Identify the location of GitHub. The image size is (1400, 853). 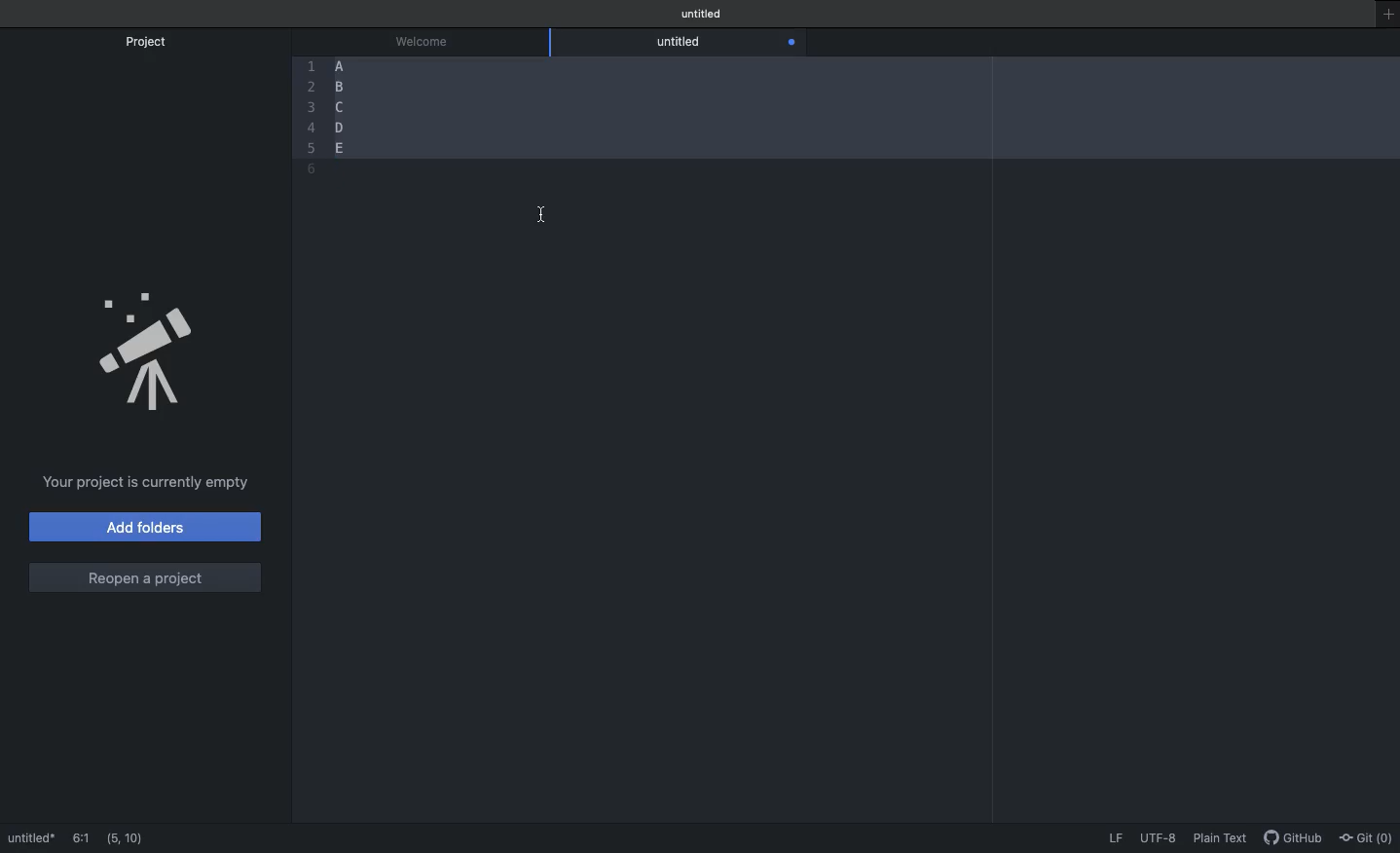
(1294, 839).